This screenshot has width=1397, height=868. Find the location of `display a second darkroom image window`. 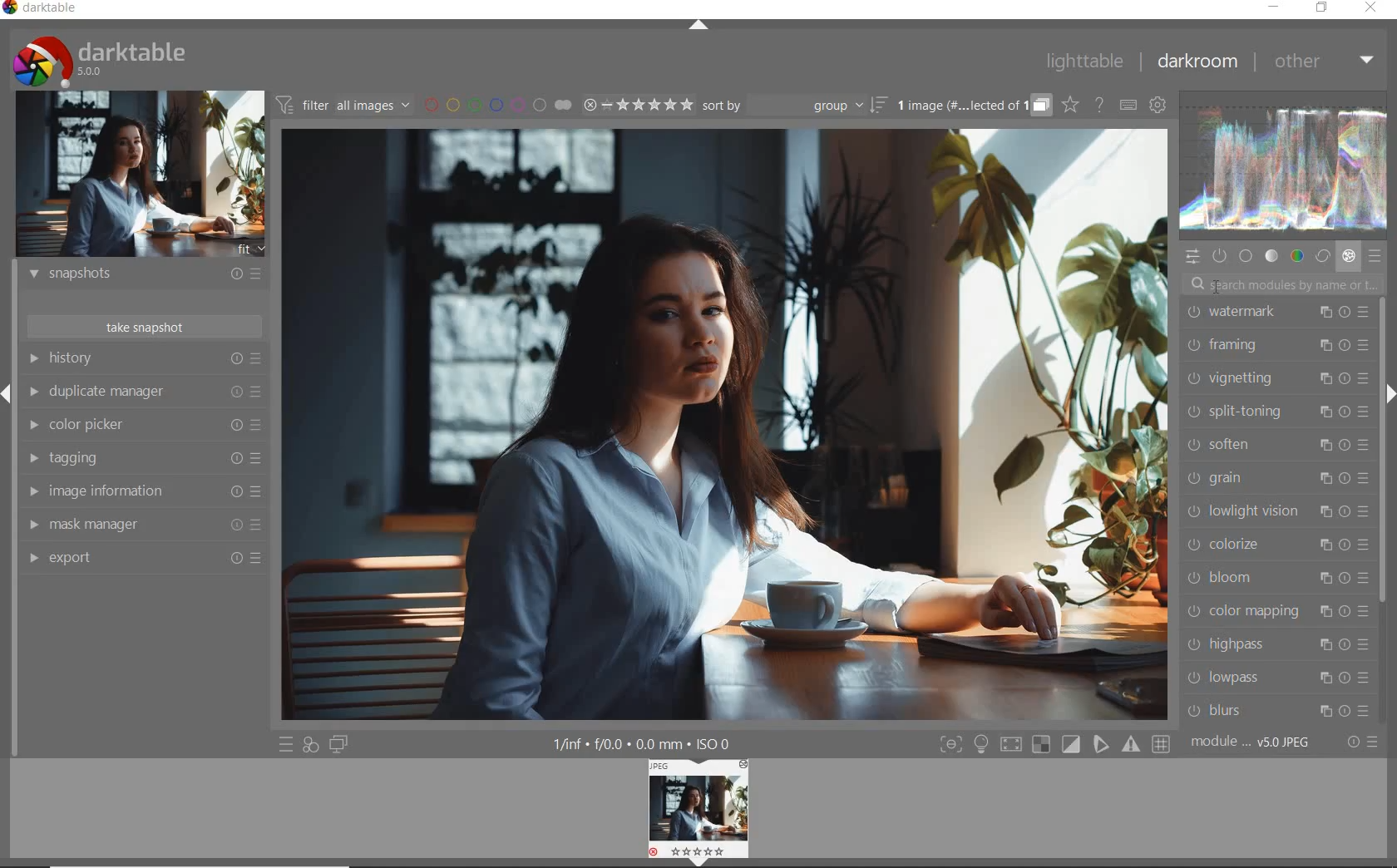

display a second darkroom image window is located at coordinates (338, 742).